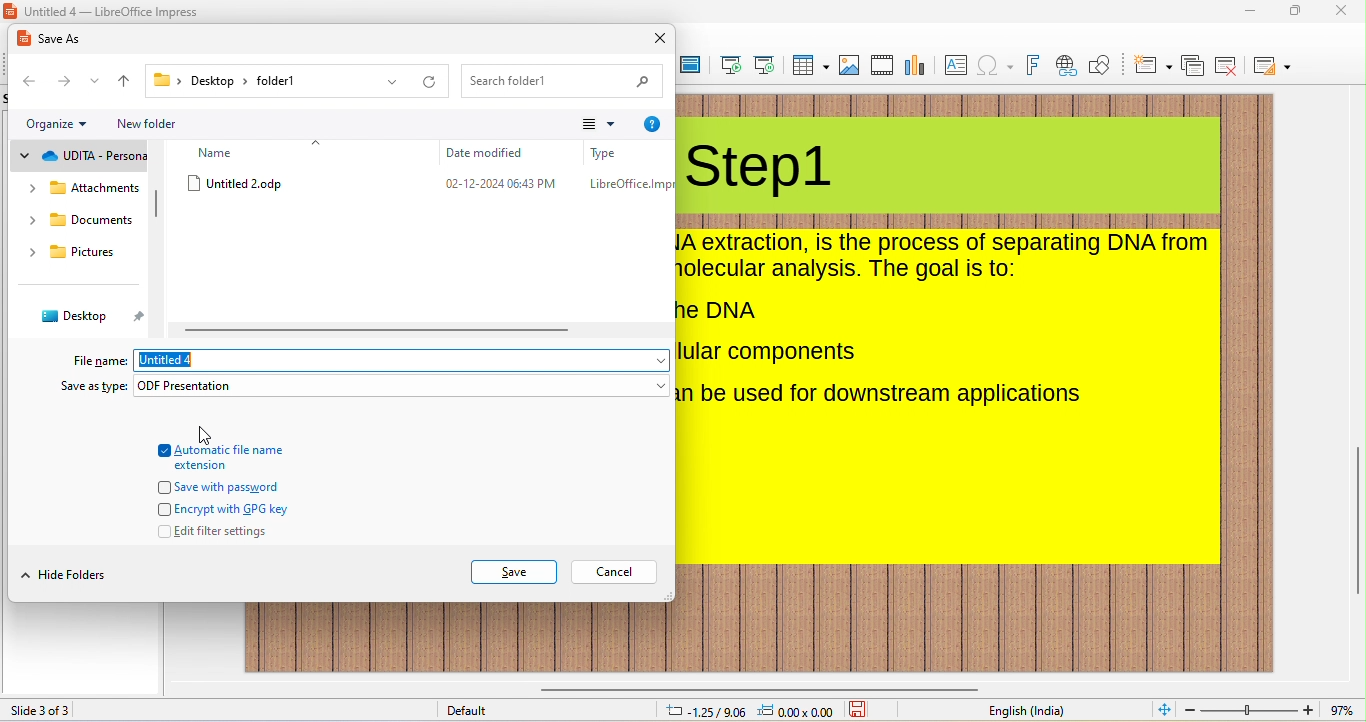 This screenshot has width=1366, height=722. What do you see at coordinates (79, 317) in the screenshot?
I see `desktop` at bounding box center [79, 317].